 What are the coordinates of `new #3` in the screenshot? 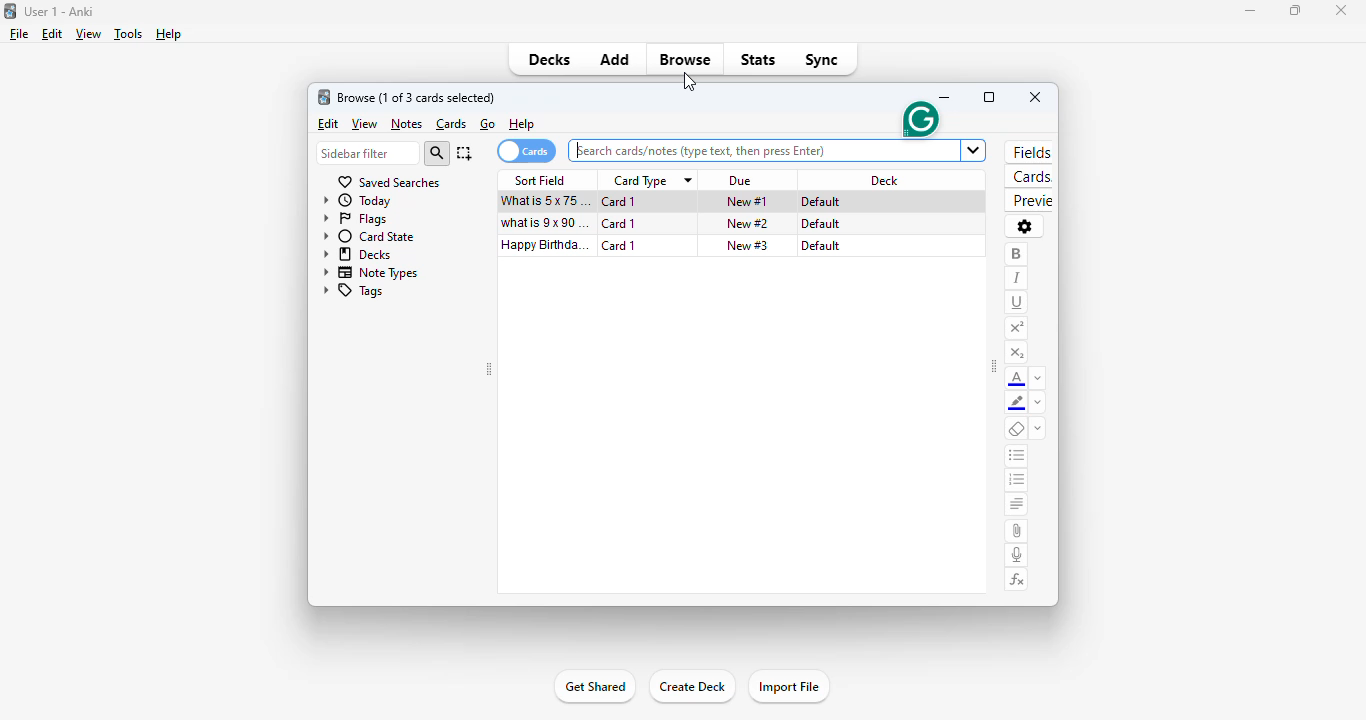 It's located at (748, 245).